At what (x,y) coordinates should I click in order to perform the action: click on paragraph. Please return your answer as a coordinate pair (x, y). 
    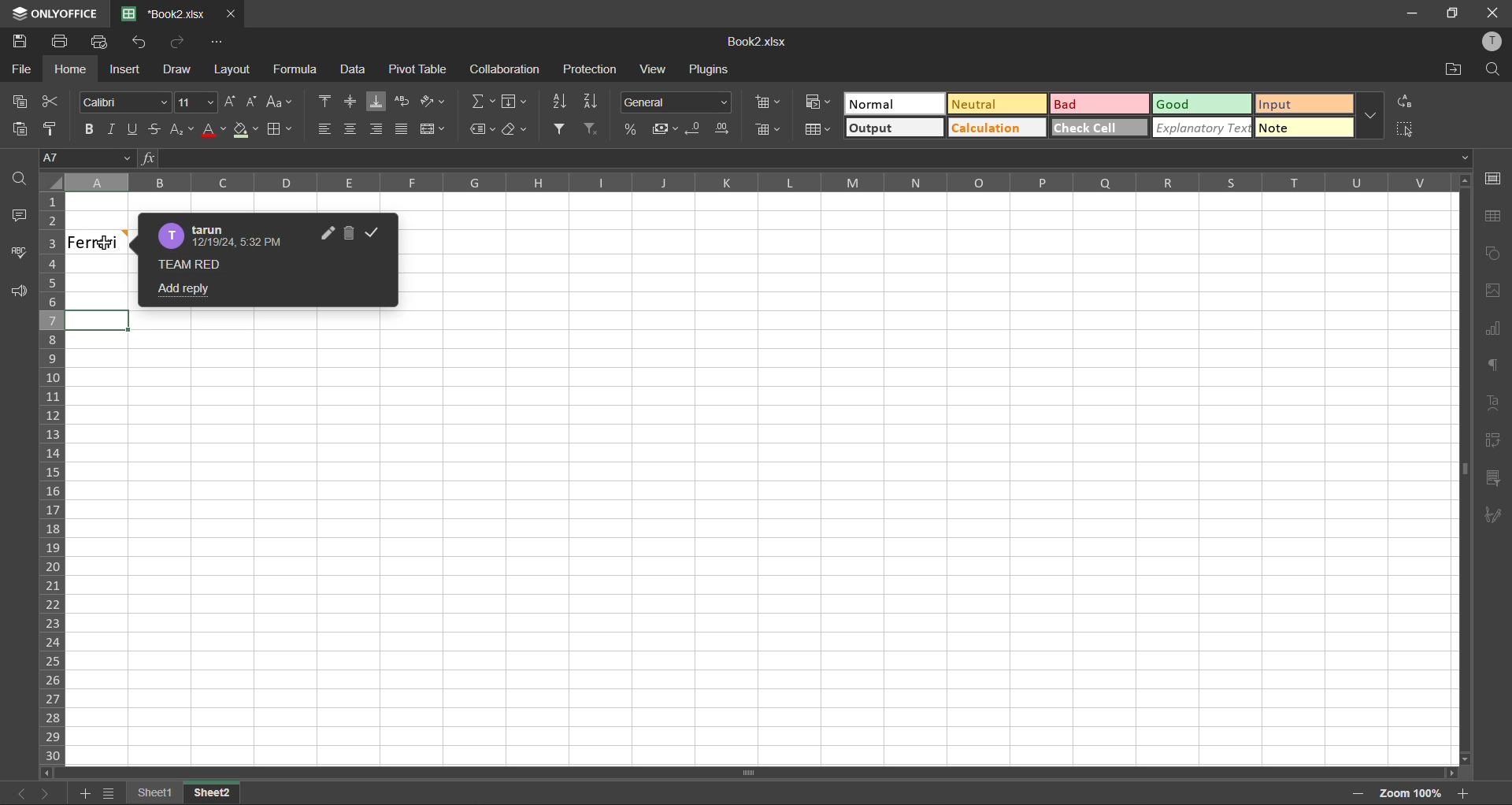
    Looking at the image, I should click on (1492, 366).